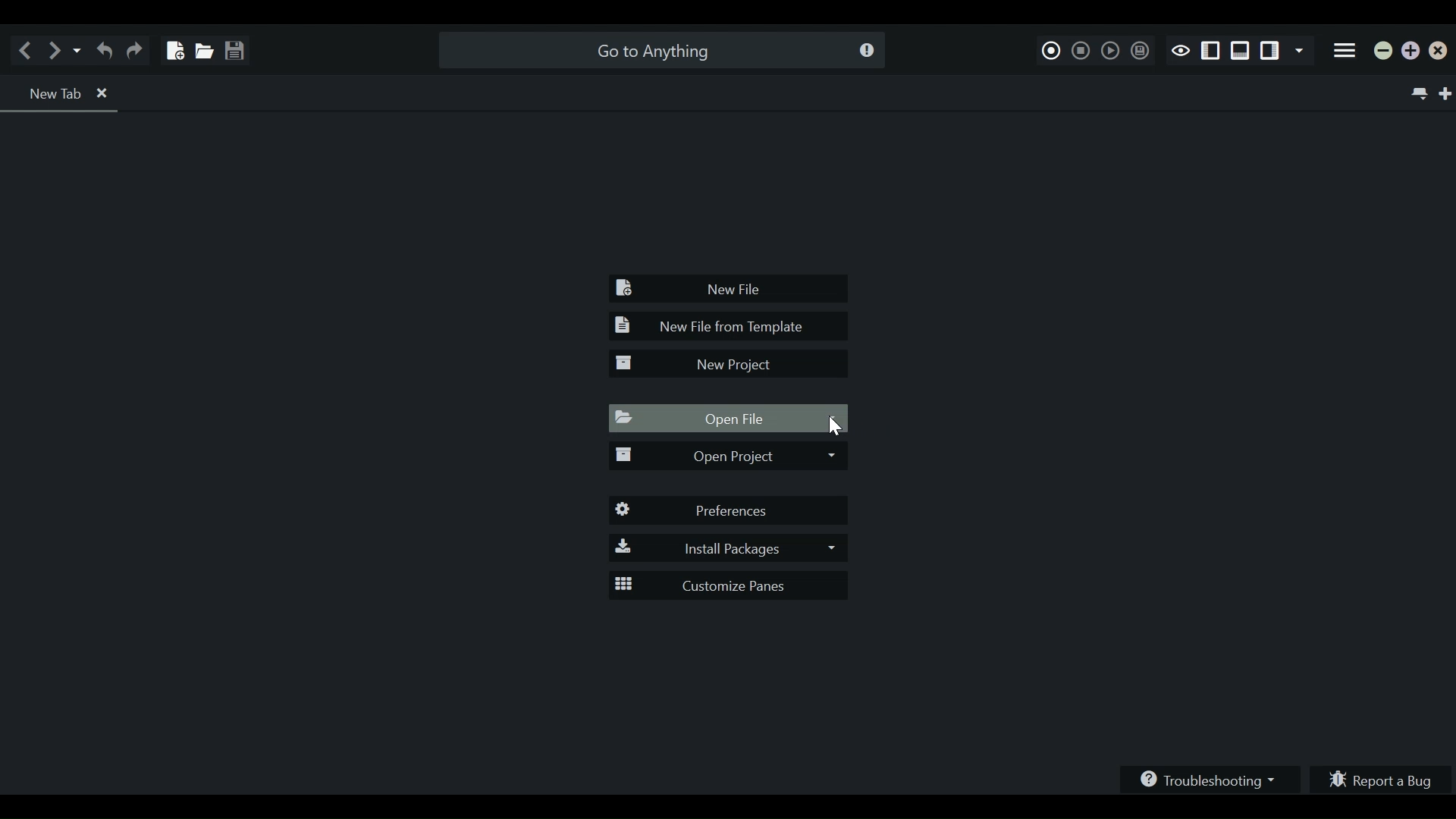  I want to click on Application menu, so click(1345, 52).